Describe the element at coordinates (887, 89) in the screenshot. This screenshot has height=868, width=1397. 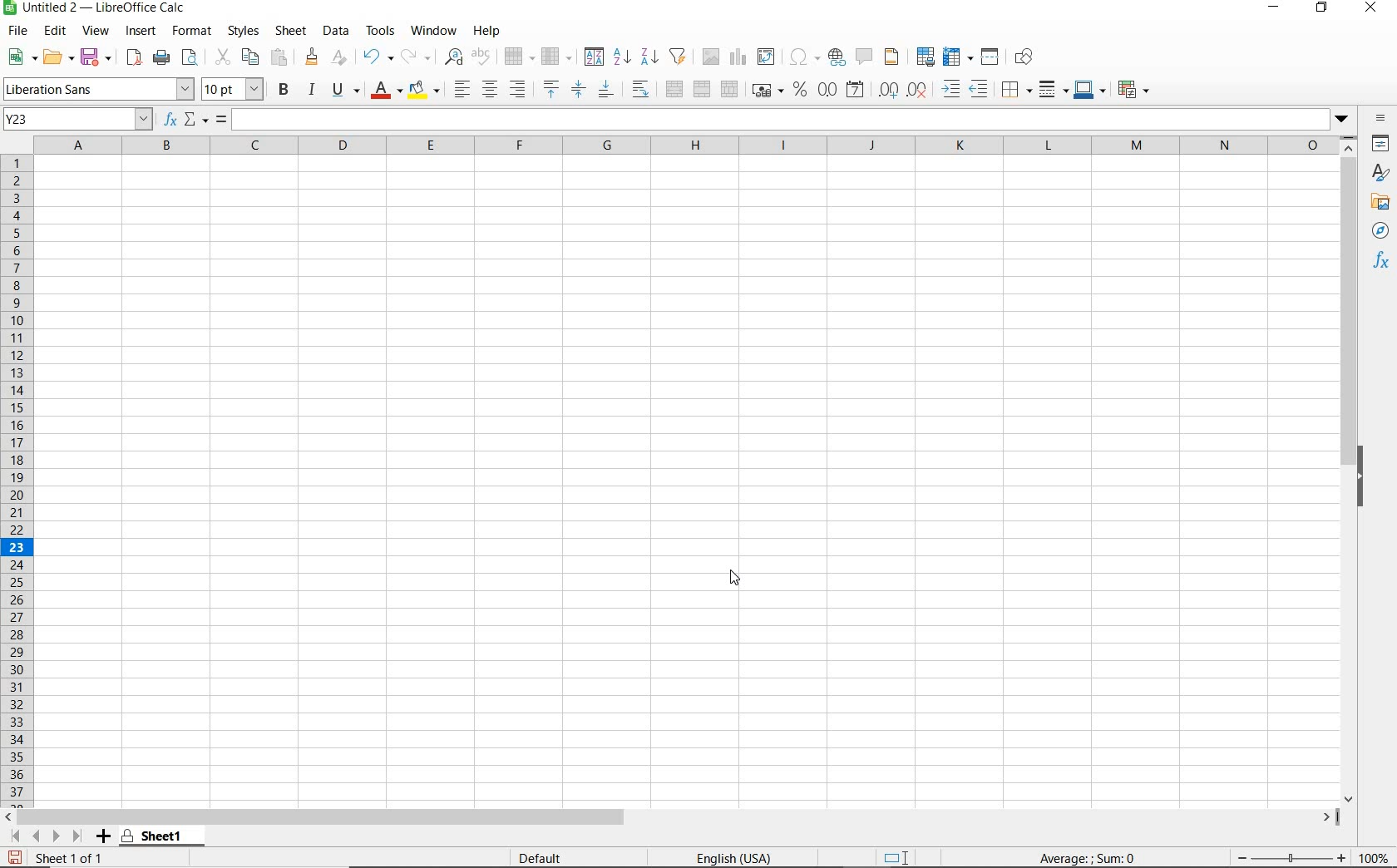
I see `ADD DECIMAL PLACE` at that location.